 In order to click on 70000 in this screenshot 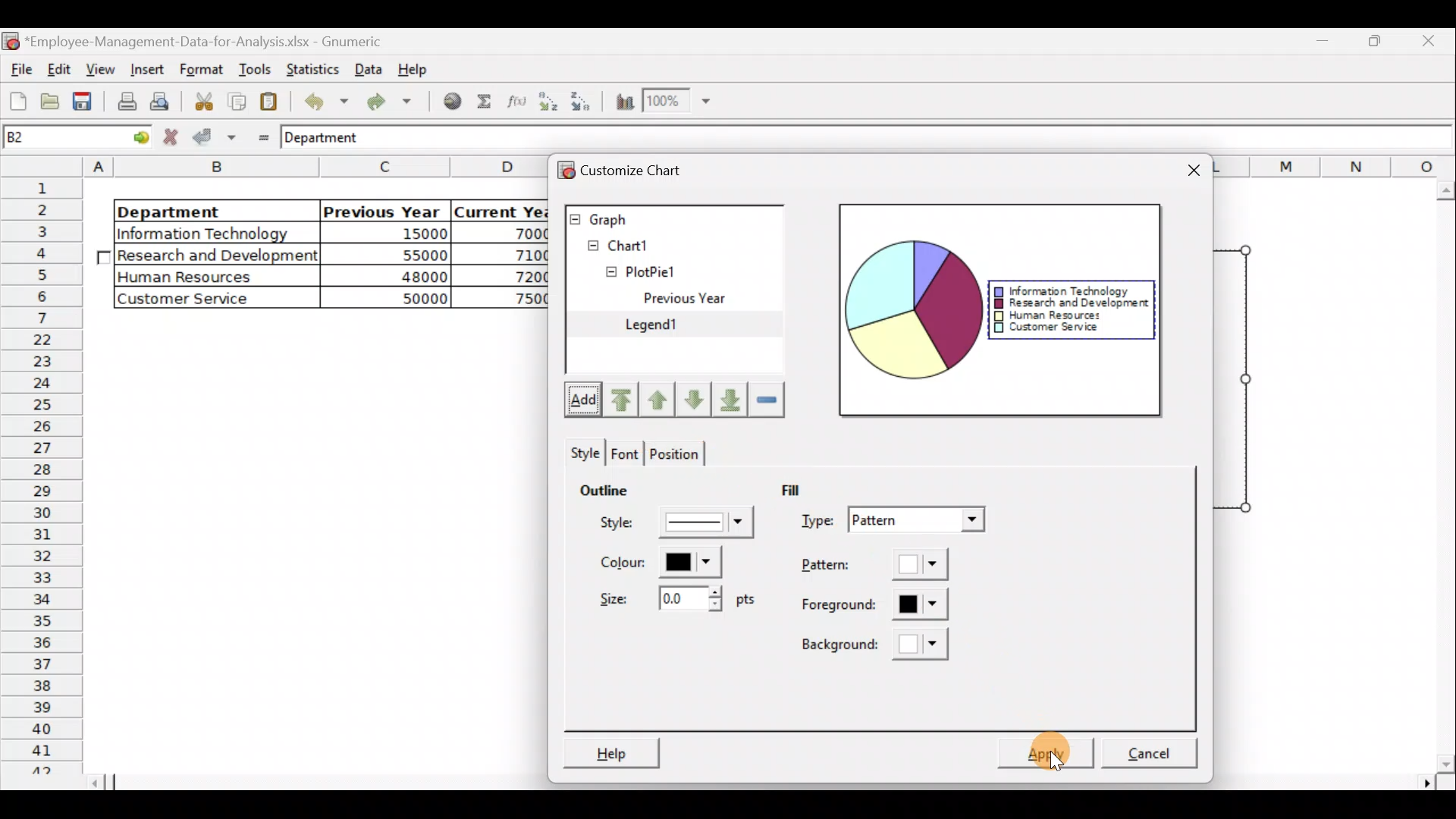, I will do `click(518, 233)`.